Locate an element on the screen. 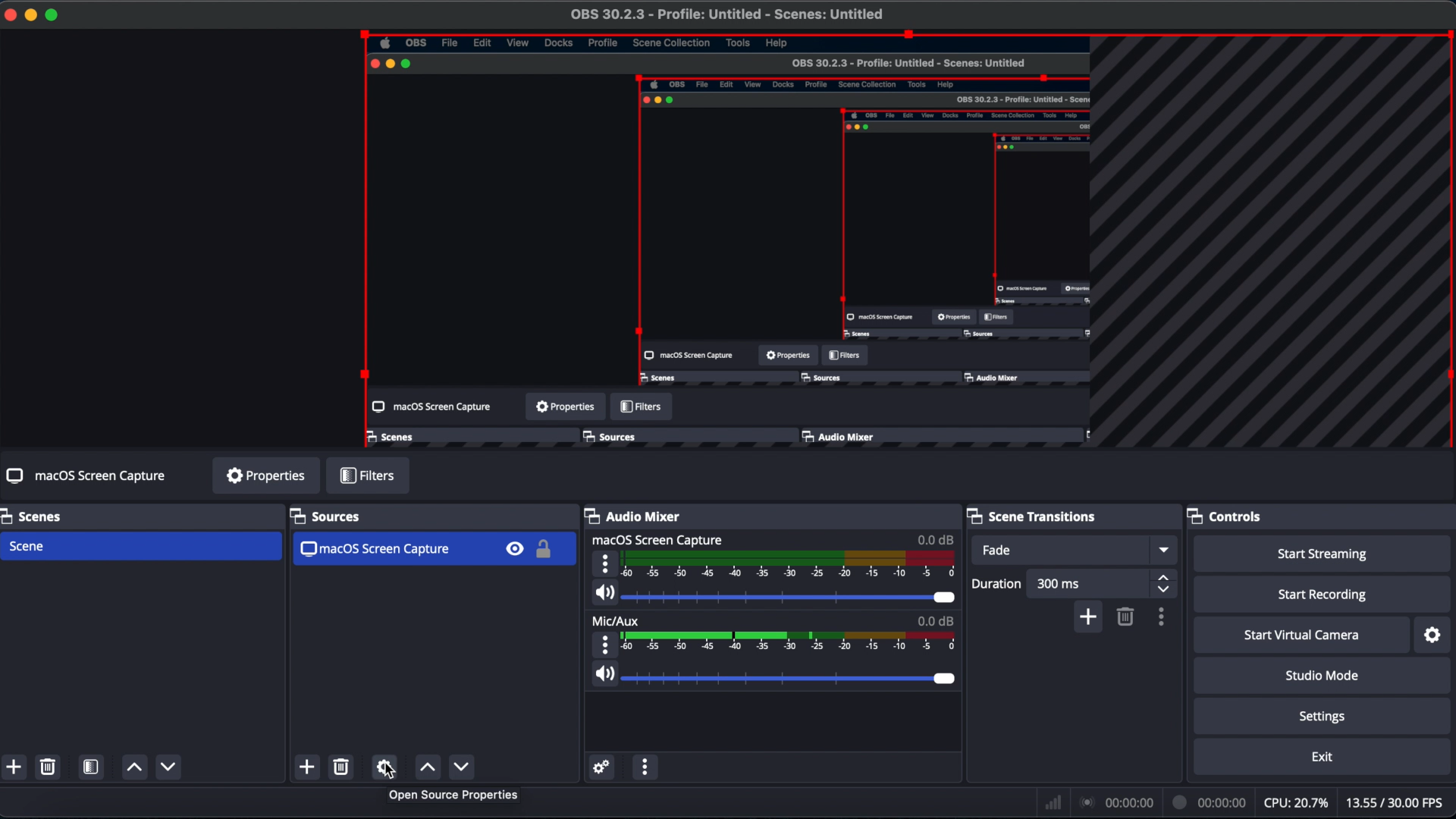 The width and height of the screenshot is (1456, 819). audio slider is located at coordinates (774, 598).